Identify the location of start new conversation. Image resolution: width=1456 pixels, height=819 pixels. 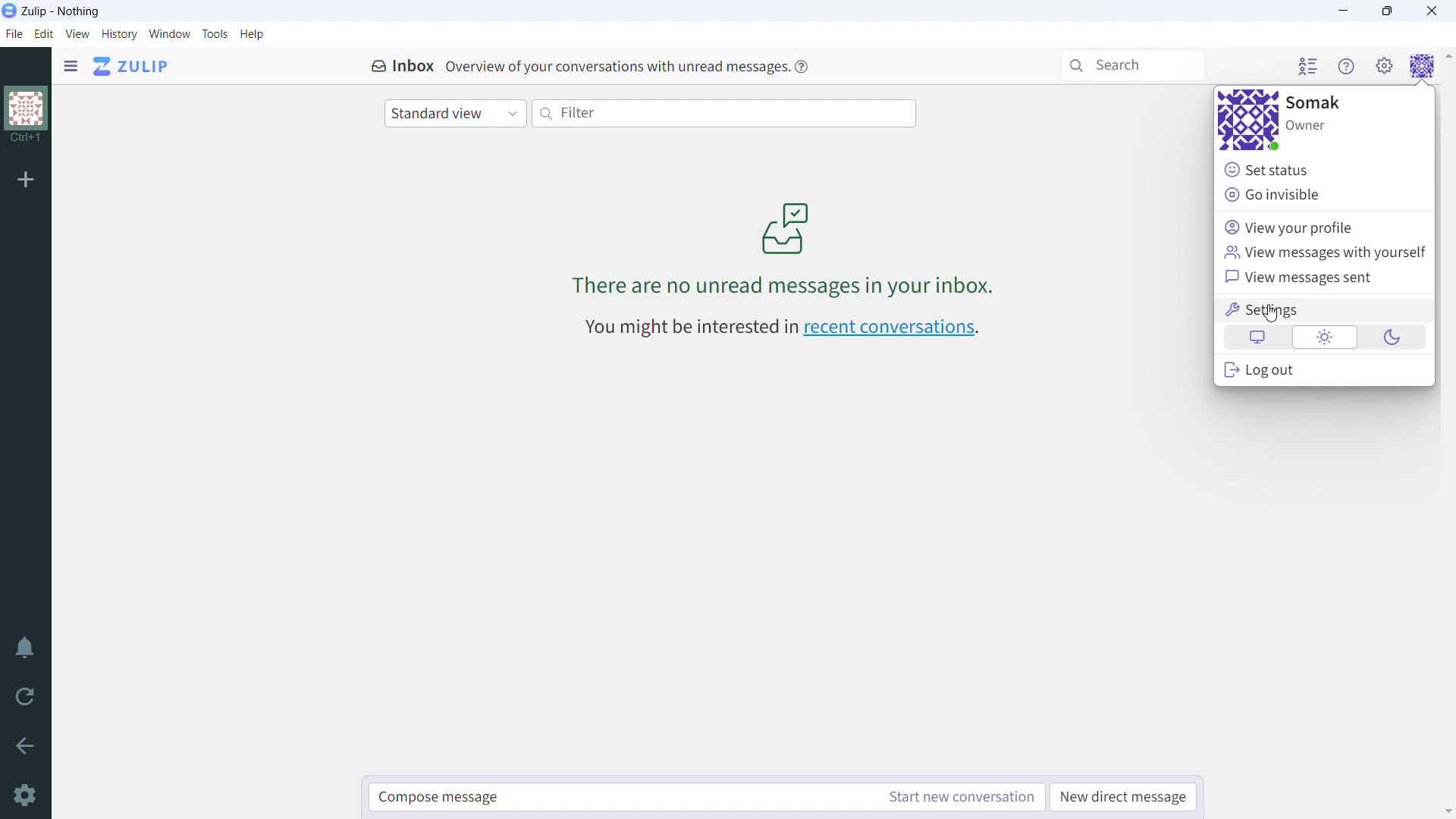
(959, 797).